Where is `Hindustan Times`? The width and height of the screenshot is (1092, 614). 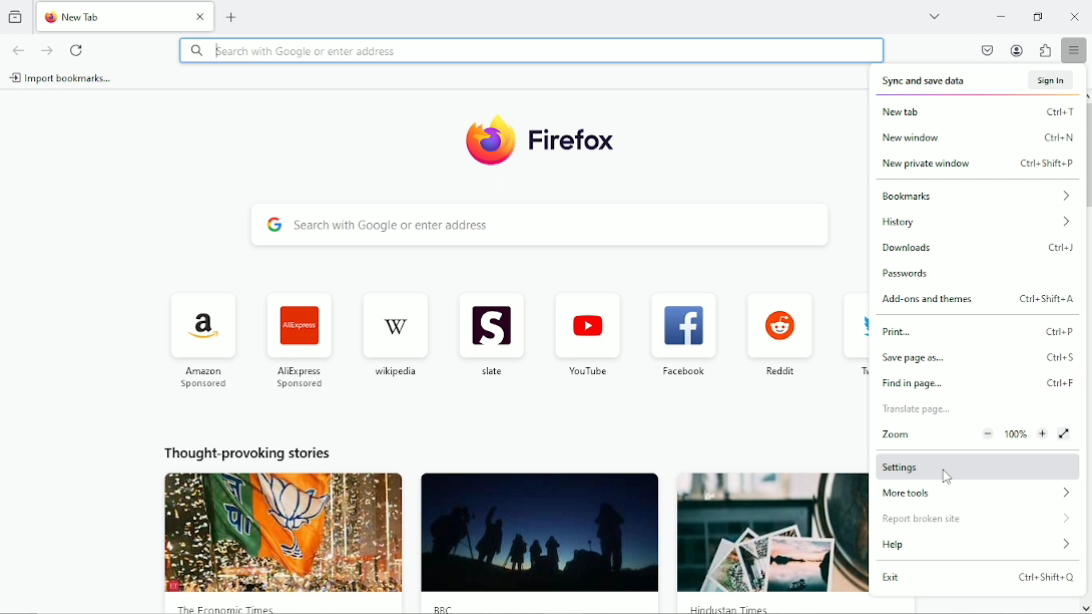 Hindustan Times is located at coordinates (773, 543).